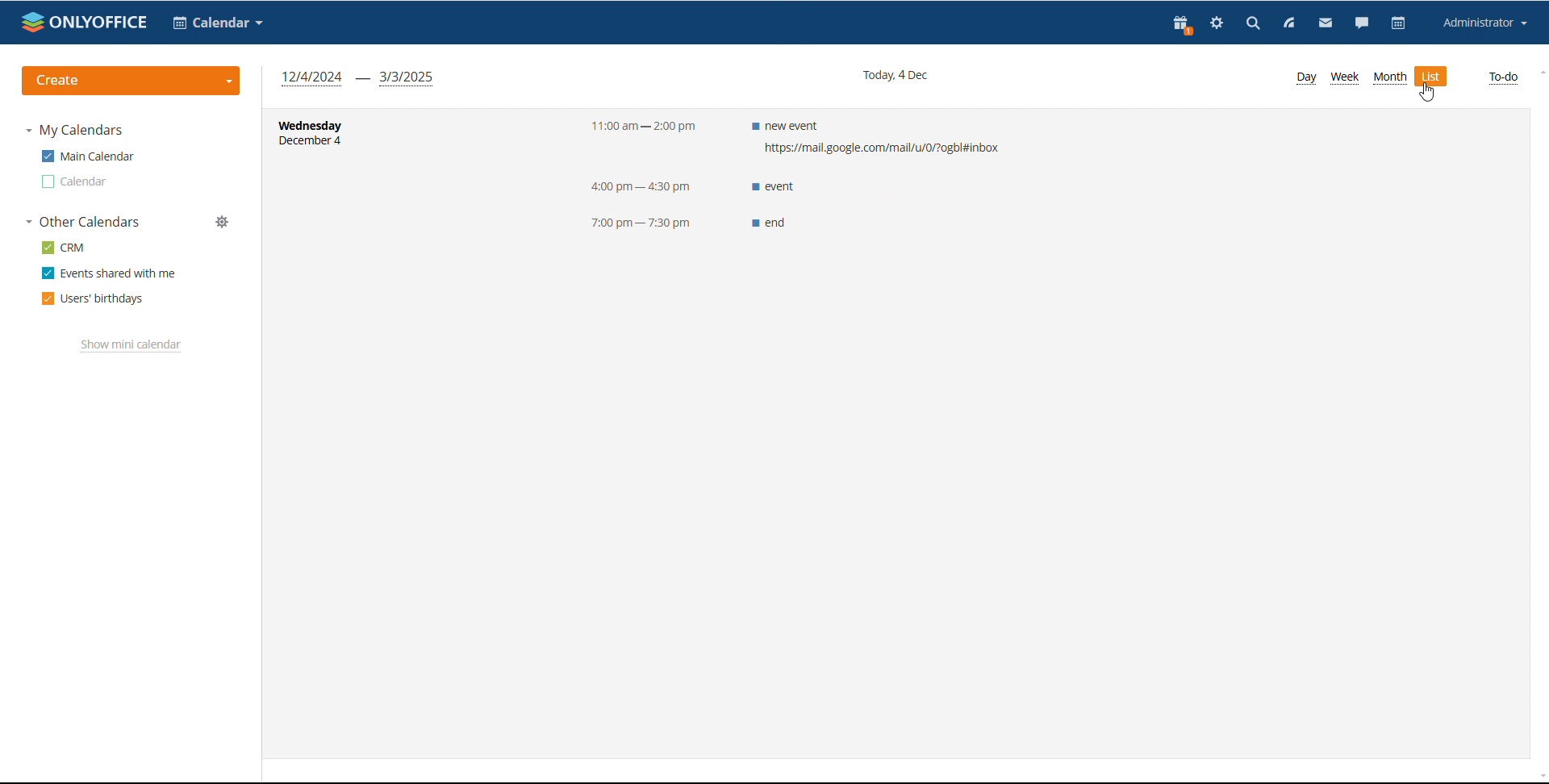 This screenshot has height=784, width=1549. What do you see at coordinates (87, 156) in the screenshot?
I see `main calendar` at bounding box center [87, 156].